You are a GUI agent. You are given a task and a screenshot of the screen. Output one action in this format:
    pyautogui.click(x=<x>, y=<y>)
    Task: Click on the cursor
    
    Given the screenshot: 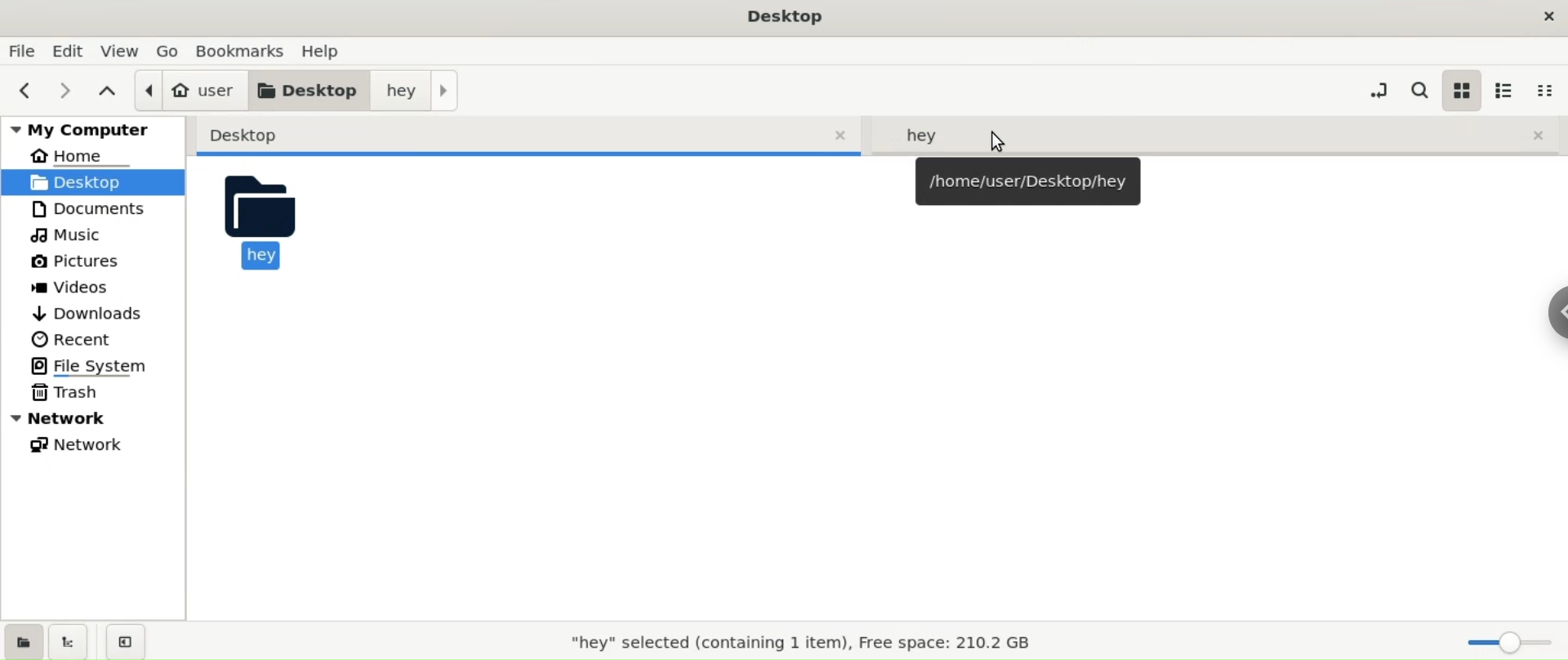 What is the action you would take?
    pyautogui.click(x=1000, y=141)
    